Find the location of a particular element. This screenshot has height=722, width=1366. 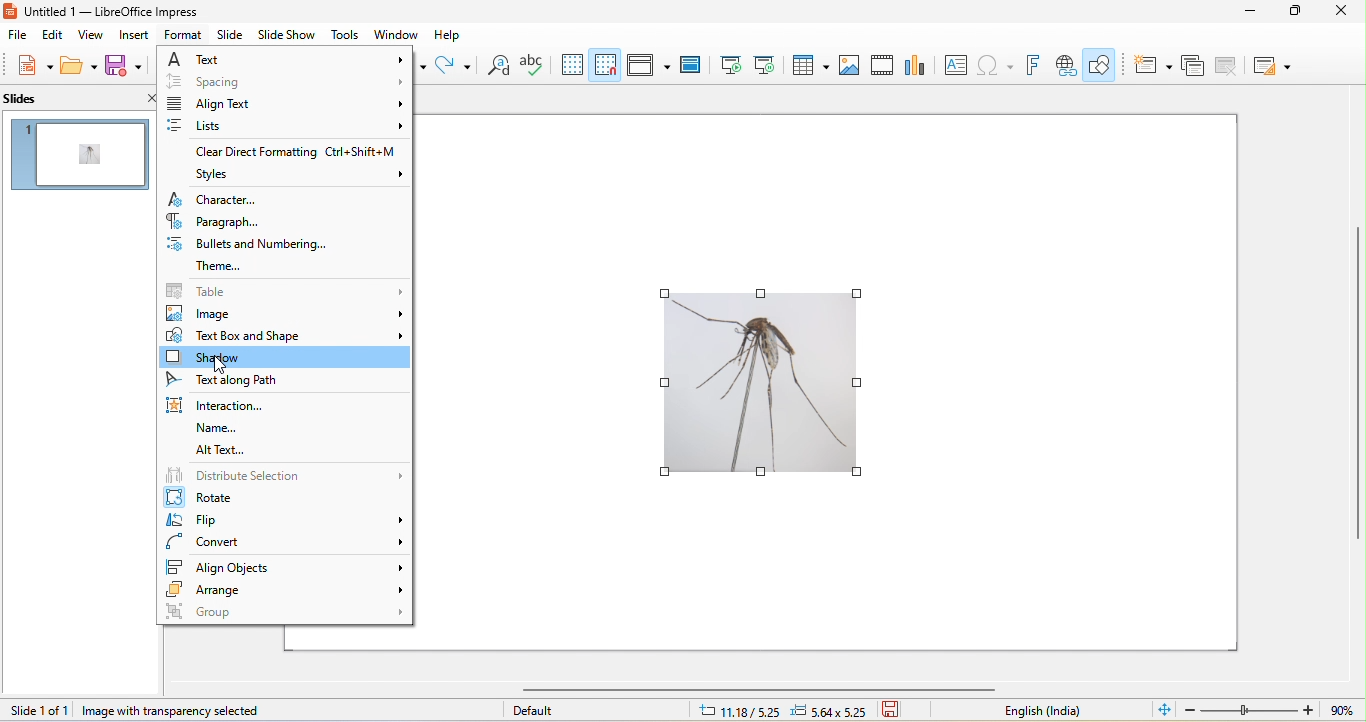

vertical scroll is located at coordinates (1357, 383).